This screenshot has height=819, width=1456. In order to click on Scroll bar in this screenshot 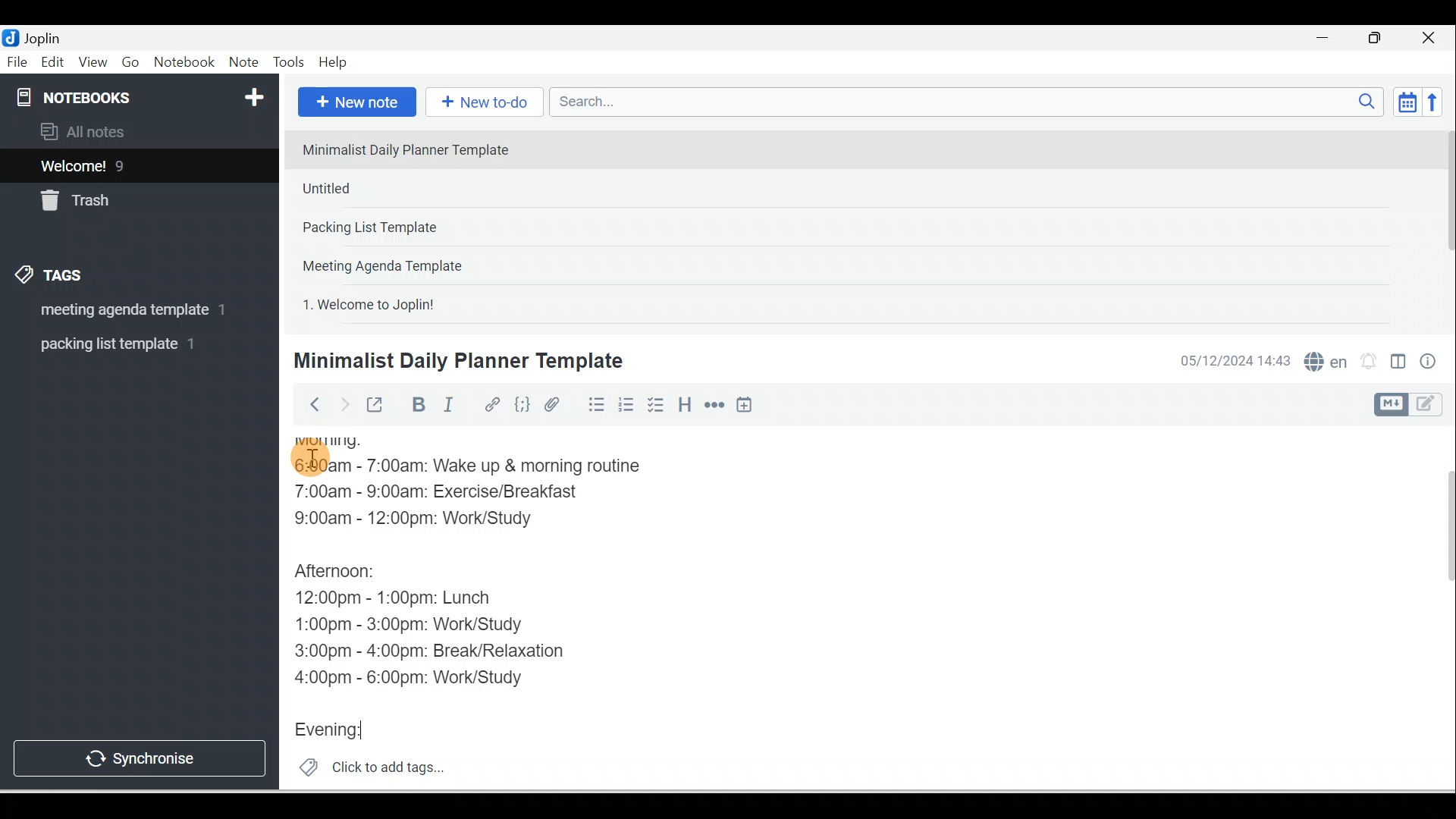, I will do `click(1439, 608)`.